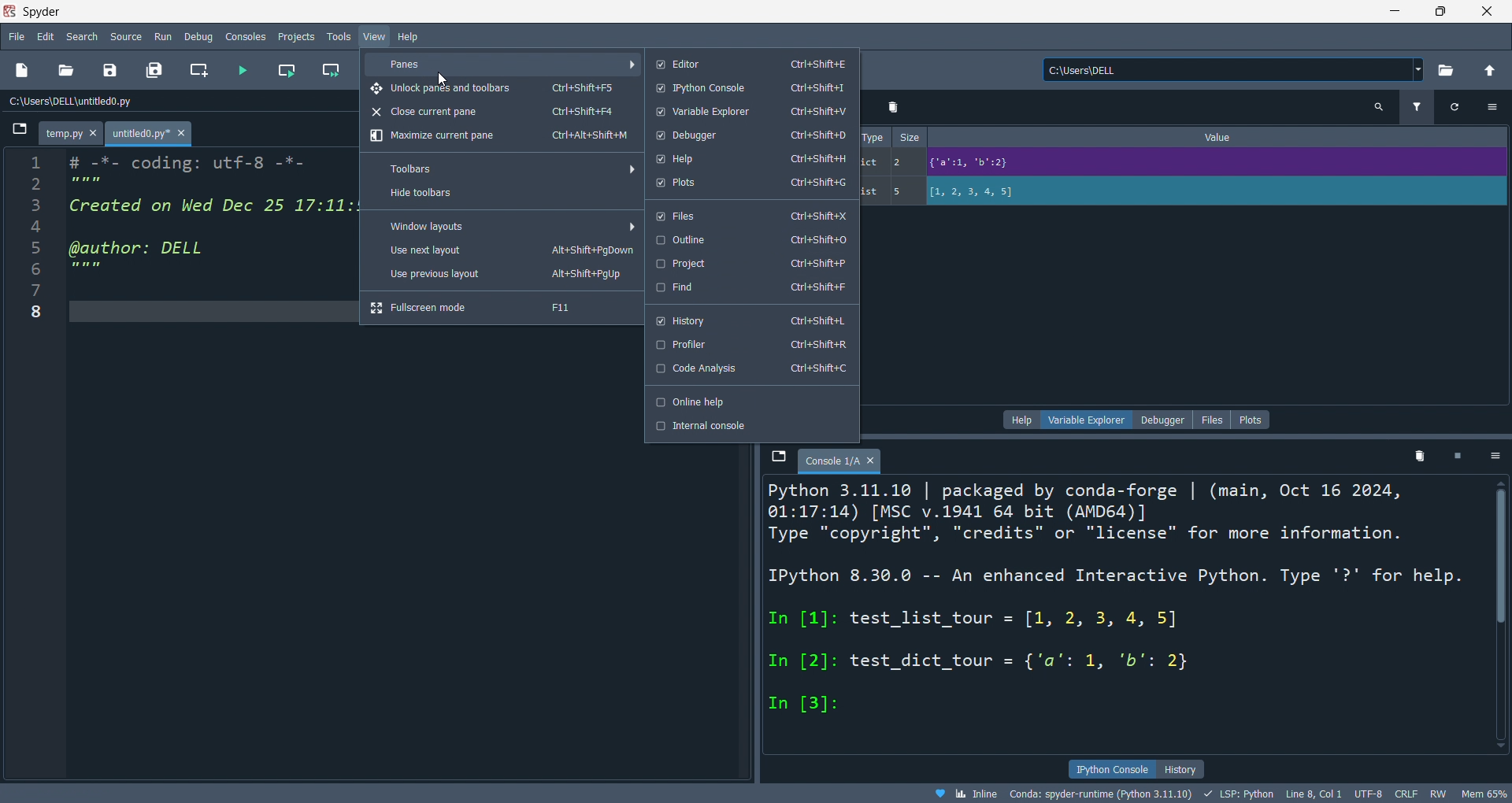 The width and height of the screenshot is (1512, 803). Describe the element at coordinates (1494, 457) in the screenshot. I see `options` at that location.